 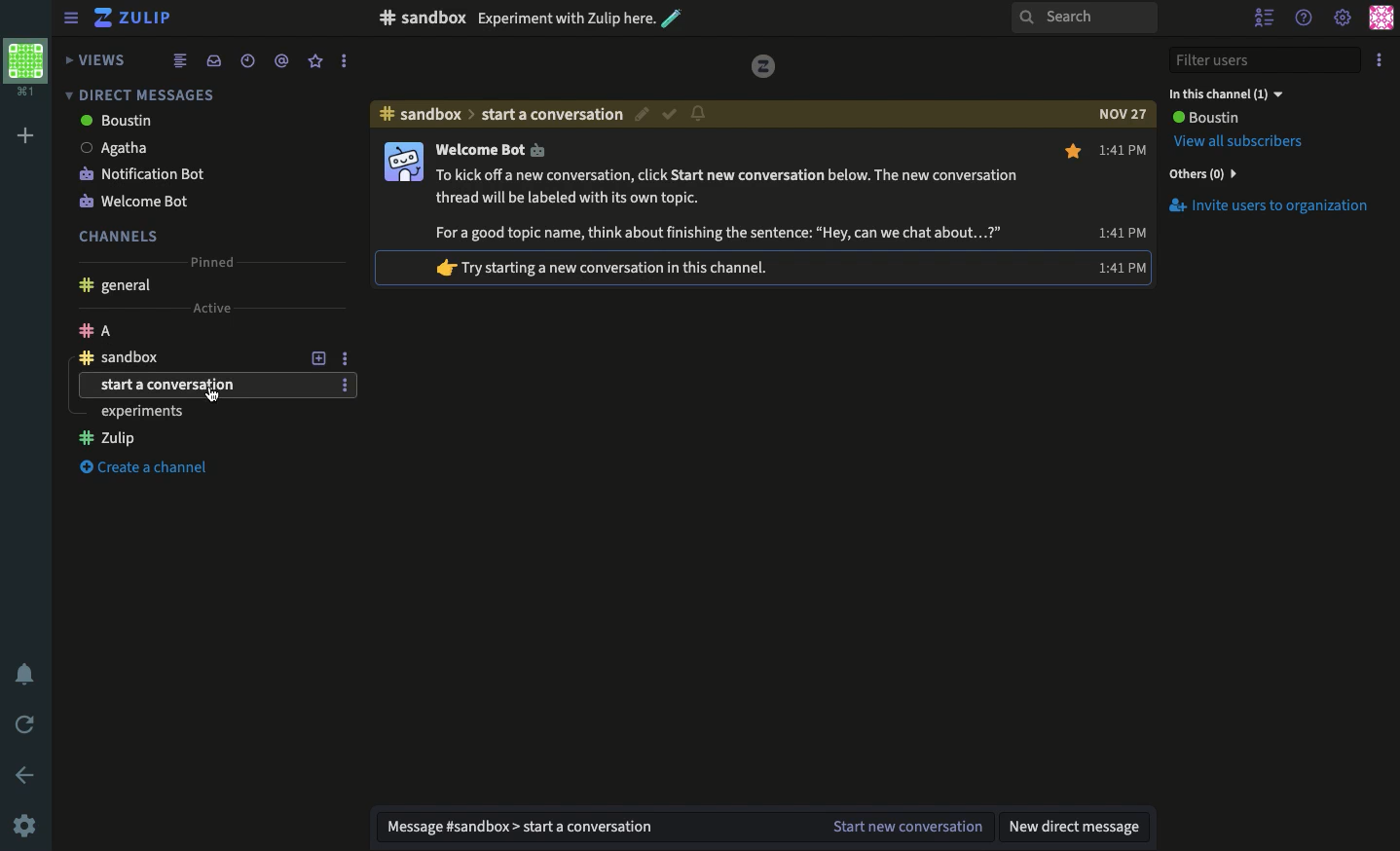 What do you see at coordinates (724, 191) in the screenshot?
I see `Messages` at bounding box center [724, 191].